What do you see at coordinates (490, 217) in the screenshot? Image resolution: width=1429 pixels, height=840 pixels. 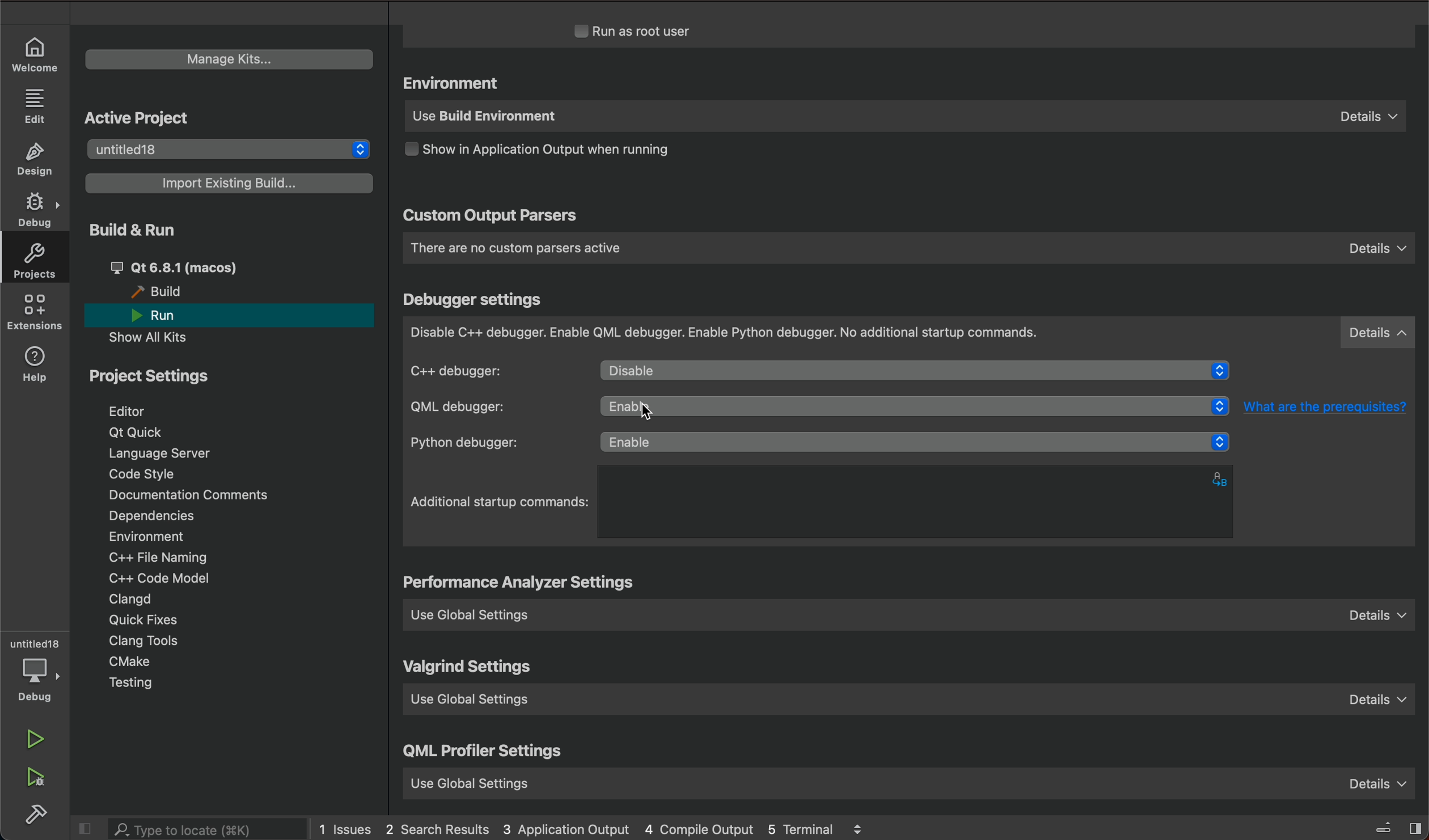 I see `custom` at bounding box center [490, 217].